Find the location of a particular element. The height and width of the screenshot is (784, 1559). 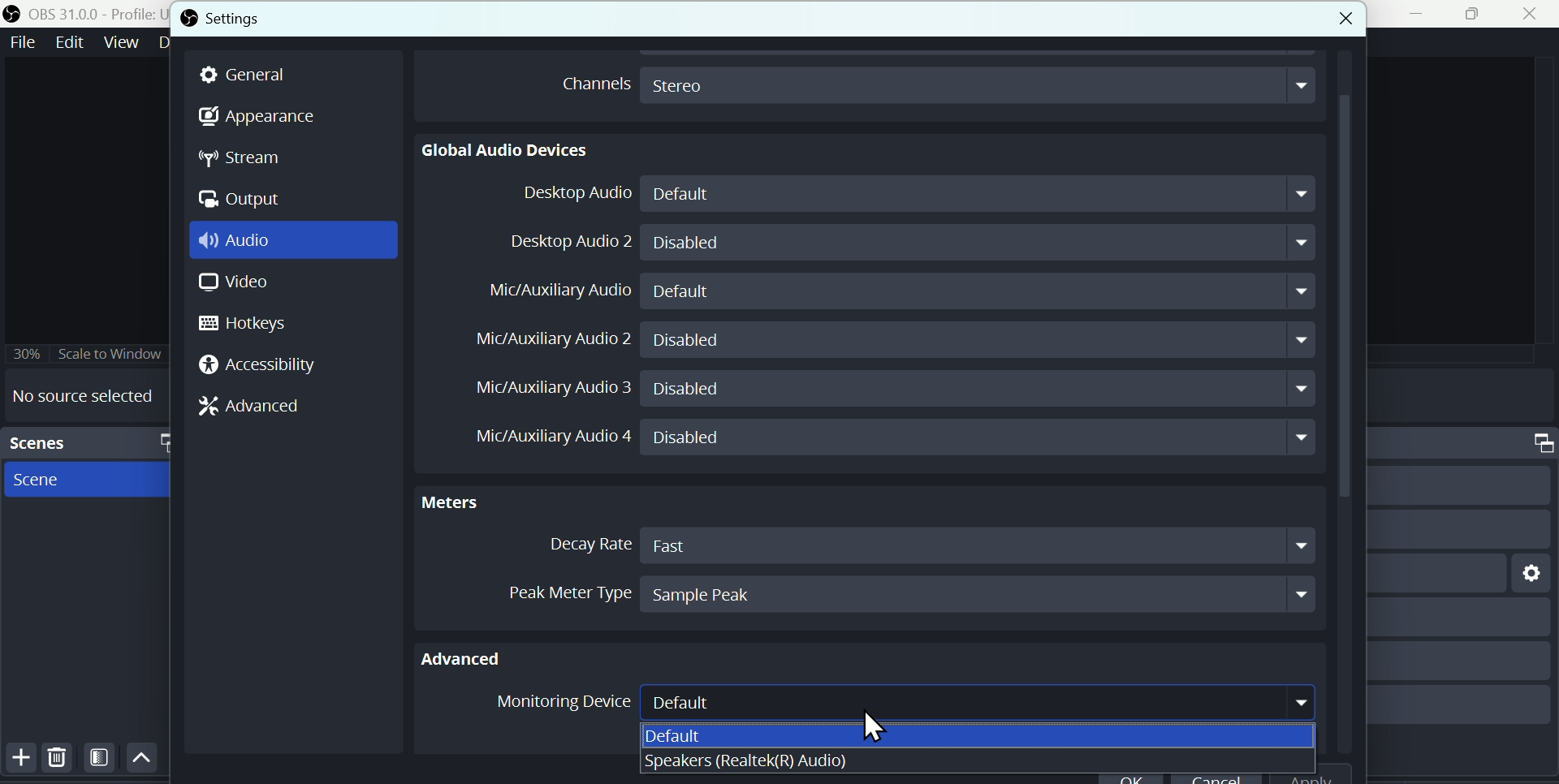

Views is located at coordinates (123, 41).